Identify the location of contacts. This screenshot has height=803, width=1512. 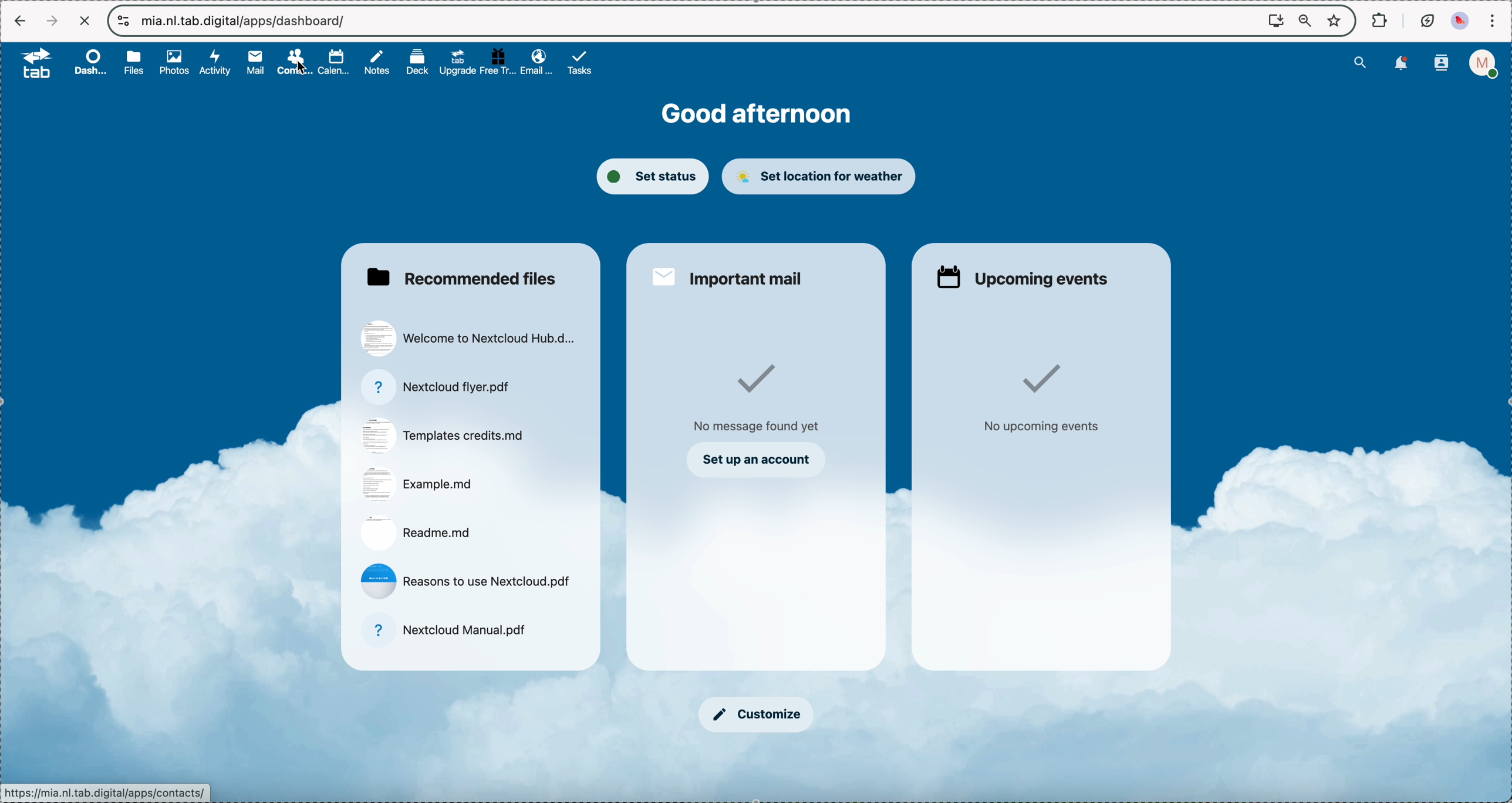
(1440, 64).